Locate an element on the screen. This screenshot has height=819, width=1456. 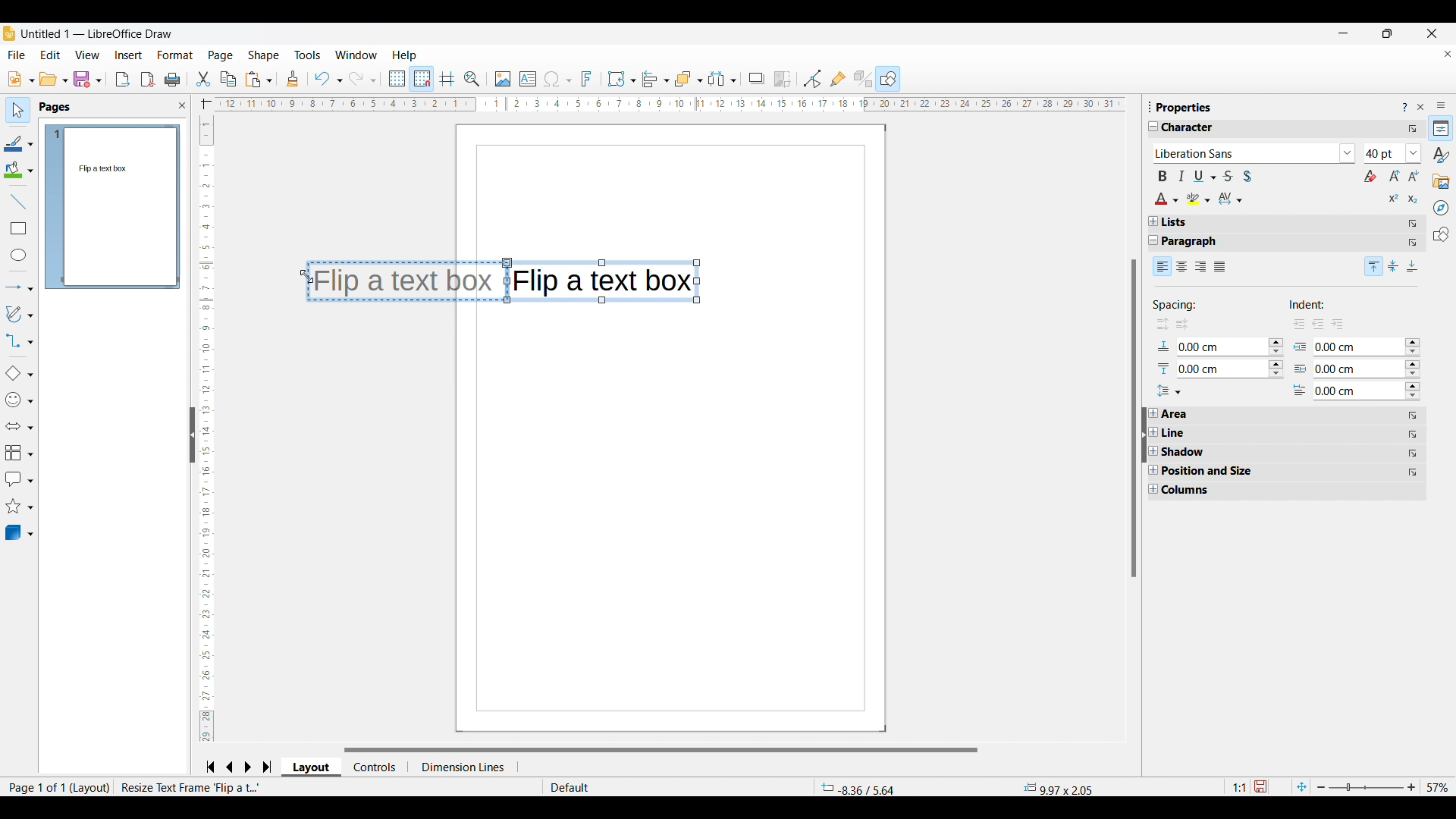
increase space is located at coordinates (1159, 325).